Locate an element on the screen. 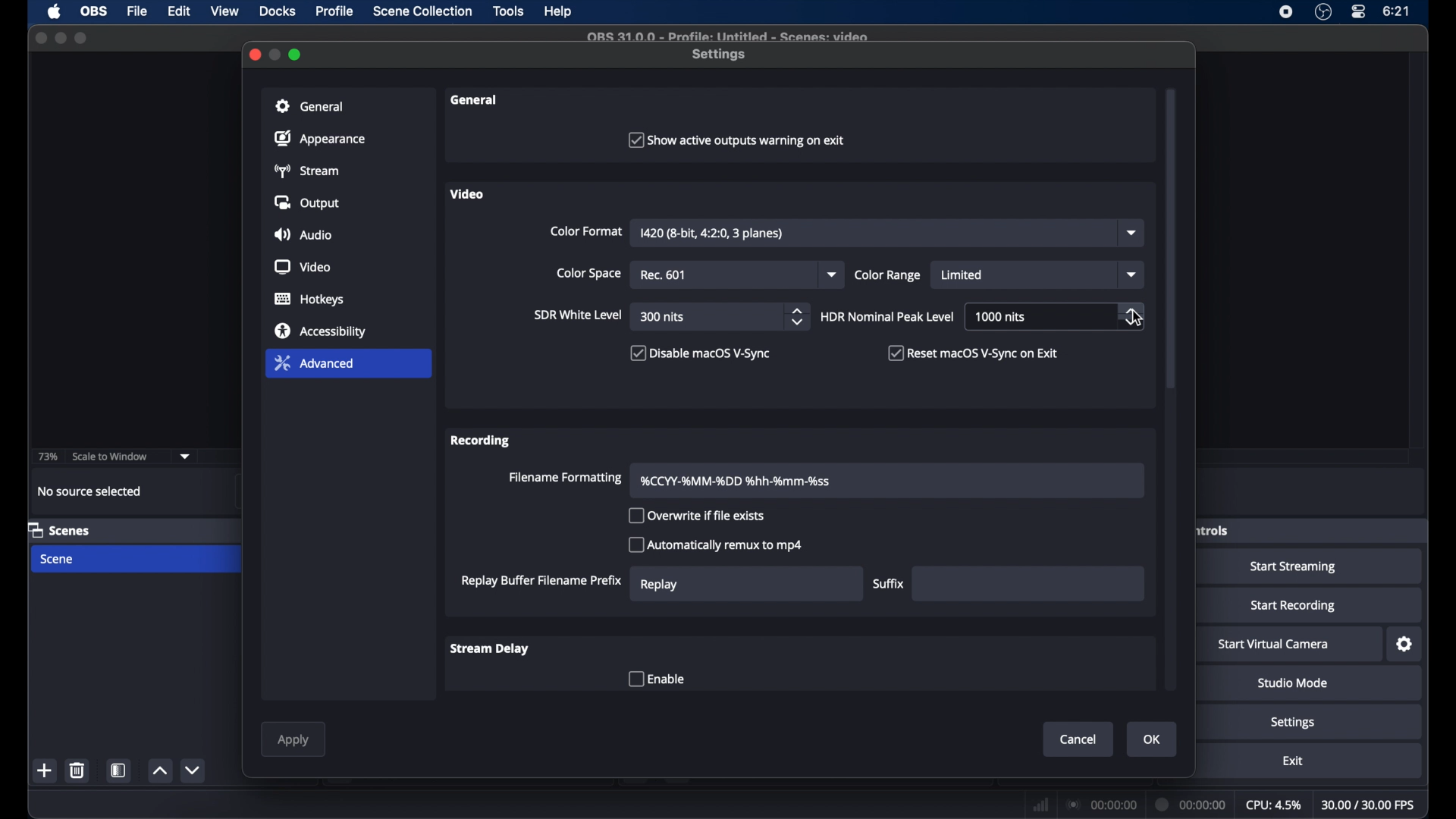 The height and width of the screenshot is (819, 1456). screen recorder icon is located at coordinates (1286, 11).